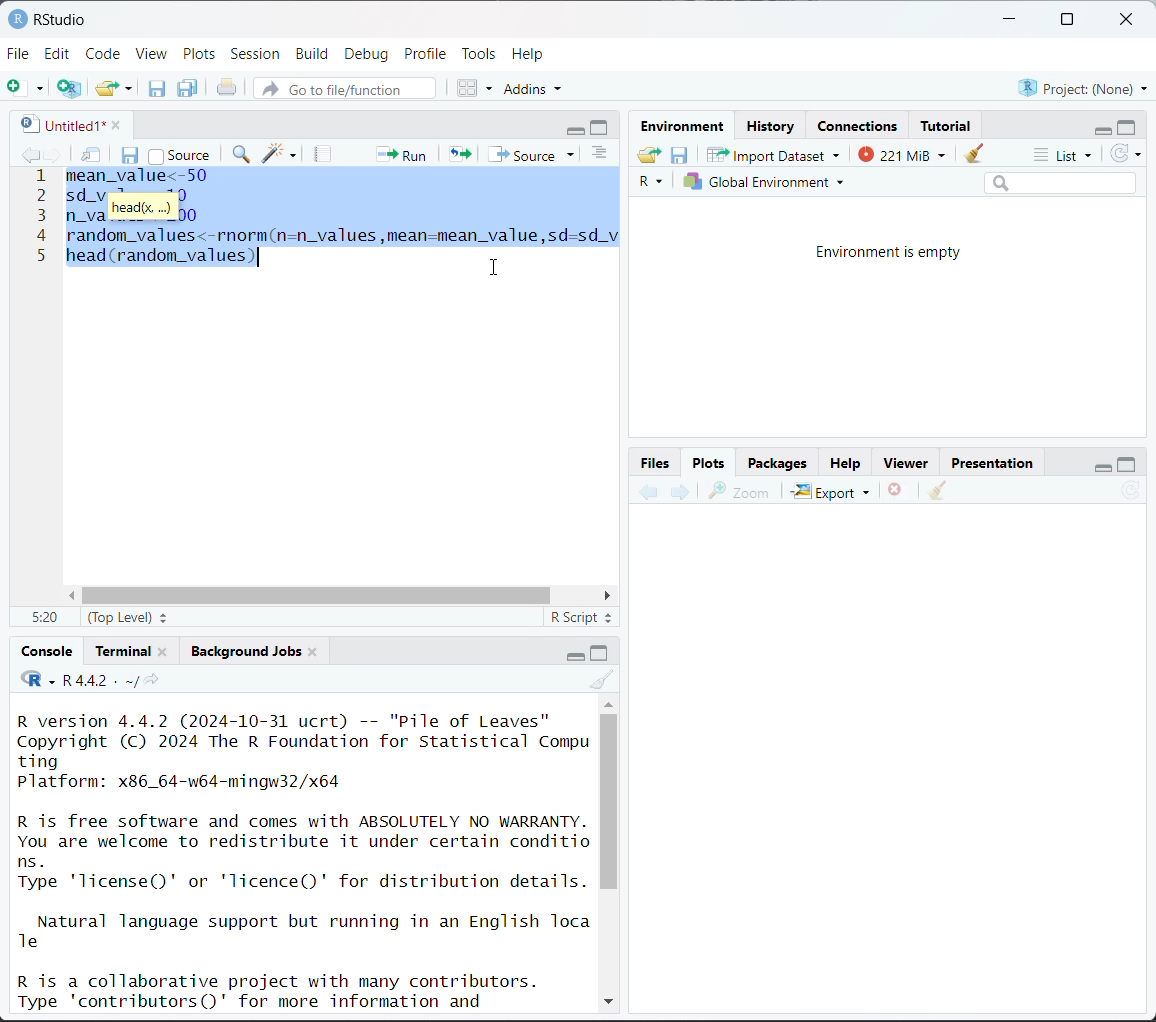  I want to click on save workspace as, so click(680, 156).